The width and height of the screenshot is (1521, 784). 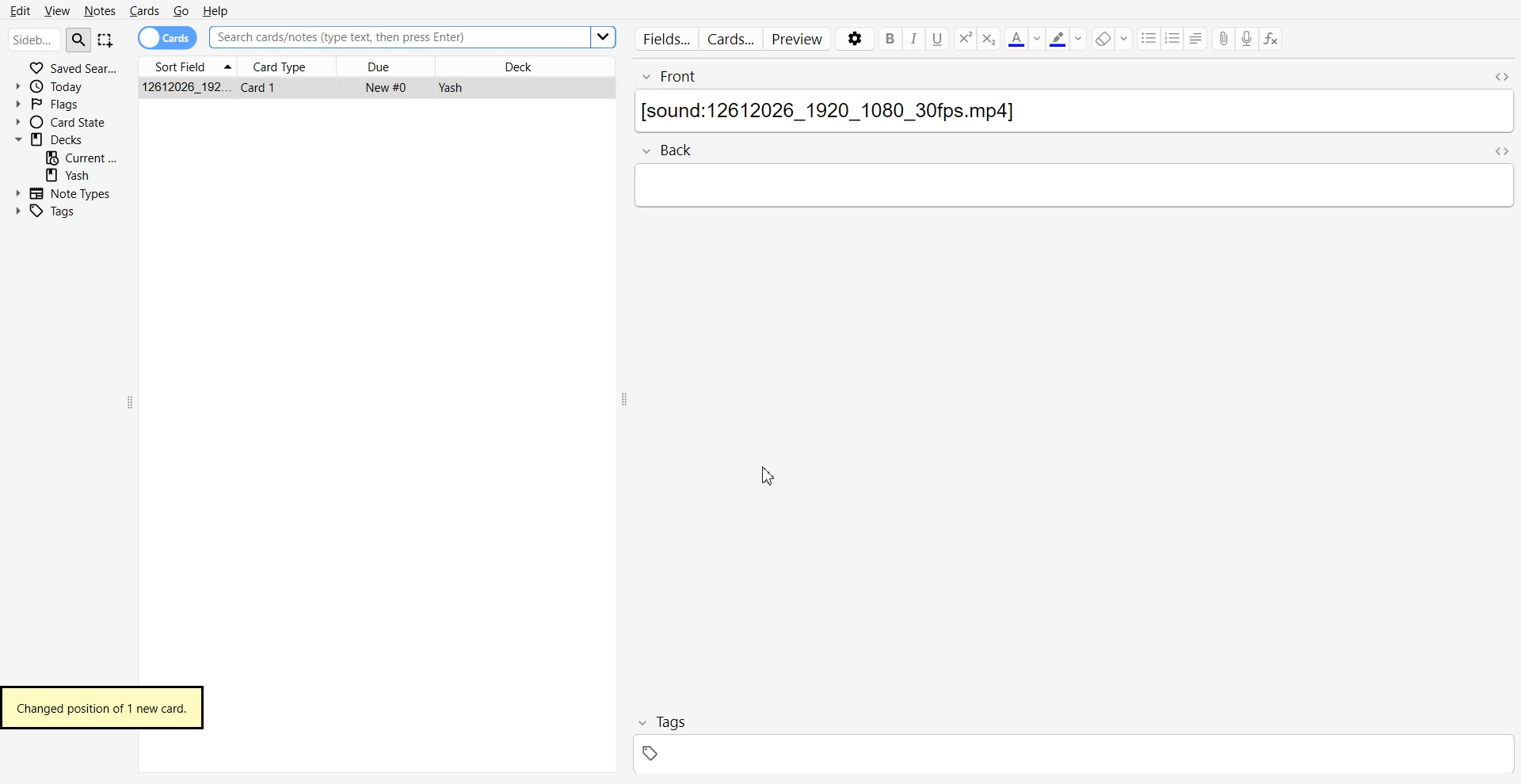 I want to click on Underline, so click(x=938, y=39).